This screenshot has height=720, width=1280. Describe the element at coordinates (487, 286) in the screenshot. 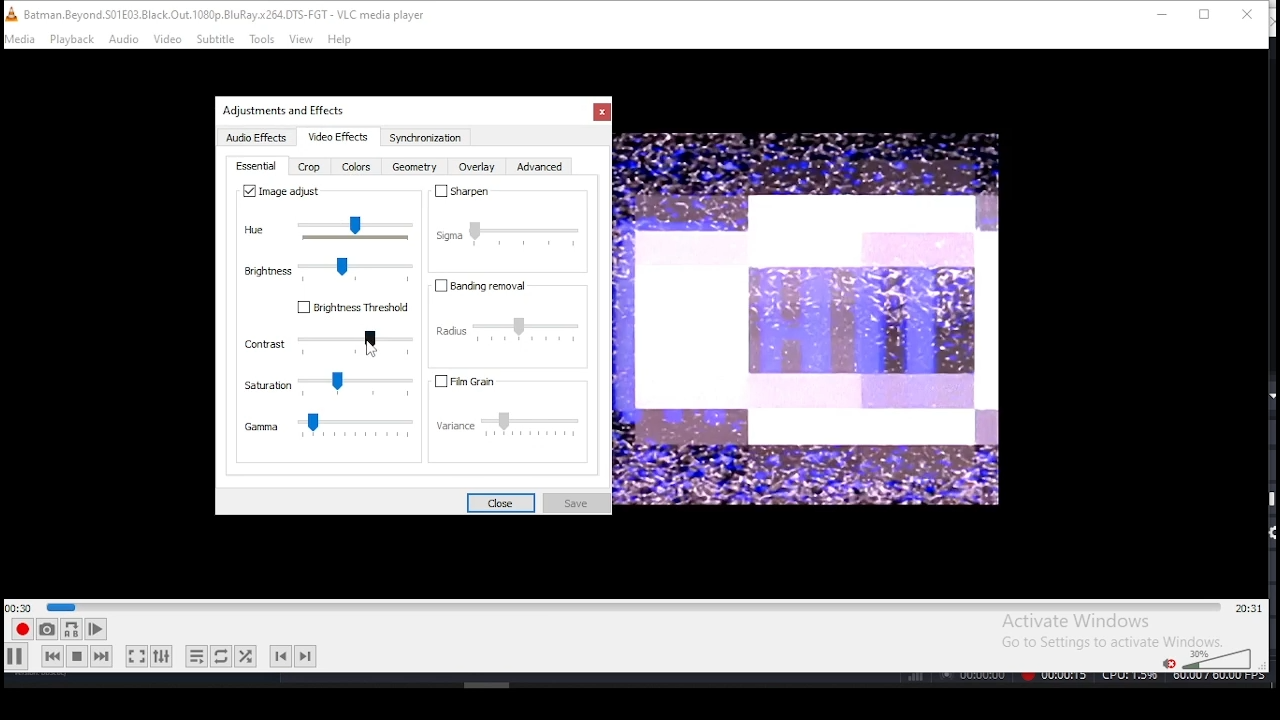

I see `banding removal on/off` at that location.